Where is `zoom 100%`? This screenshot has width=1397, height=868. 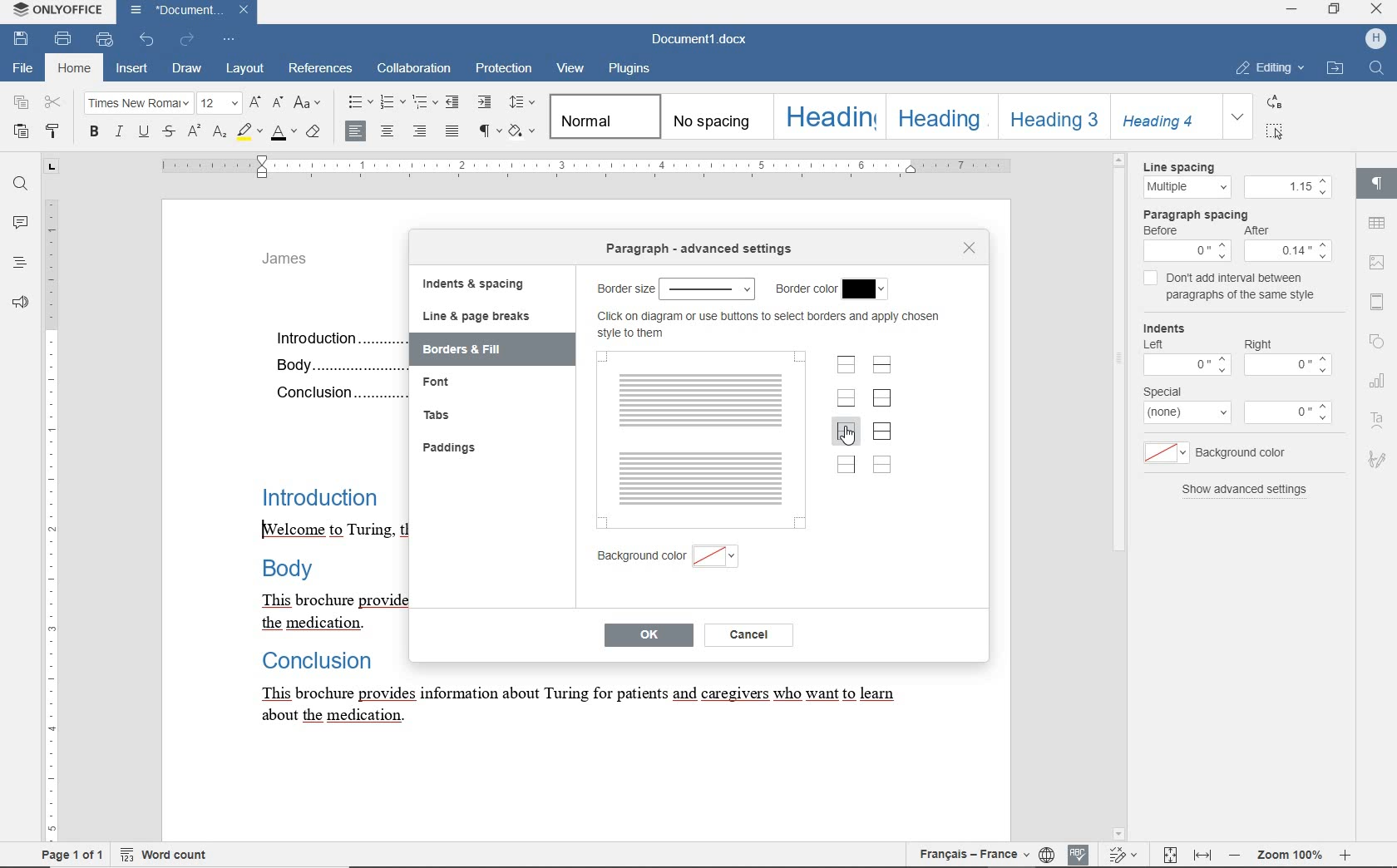 zoom 100% is located at coordinates (1291, 856).